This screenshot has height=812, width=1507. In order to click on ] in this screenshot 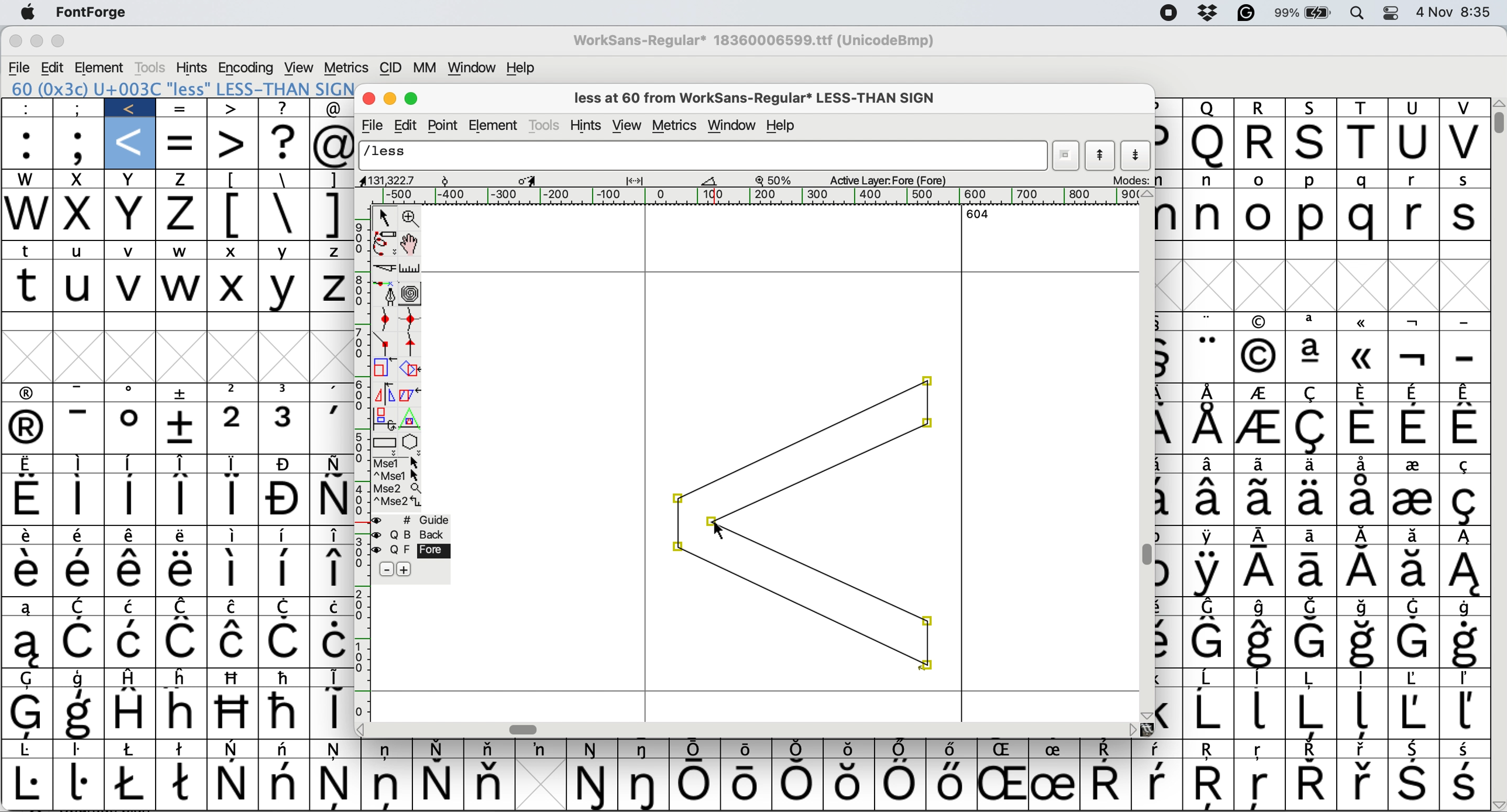, I will do `click(333, 180)`.